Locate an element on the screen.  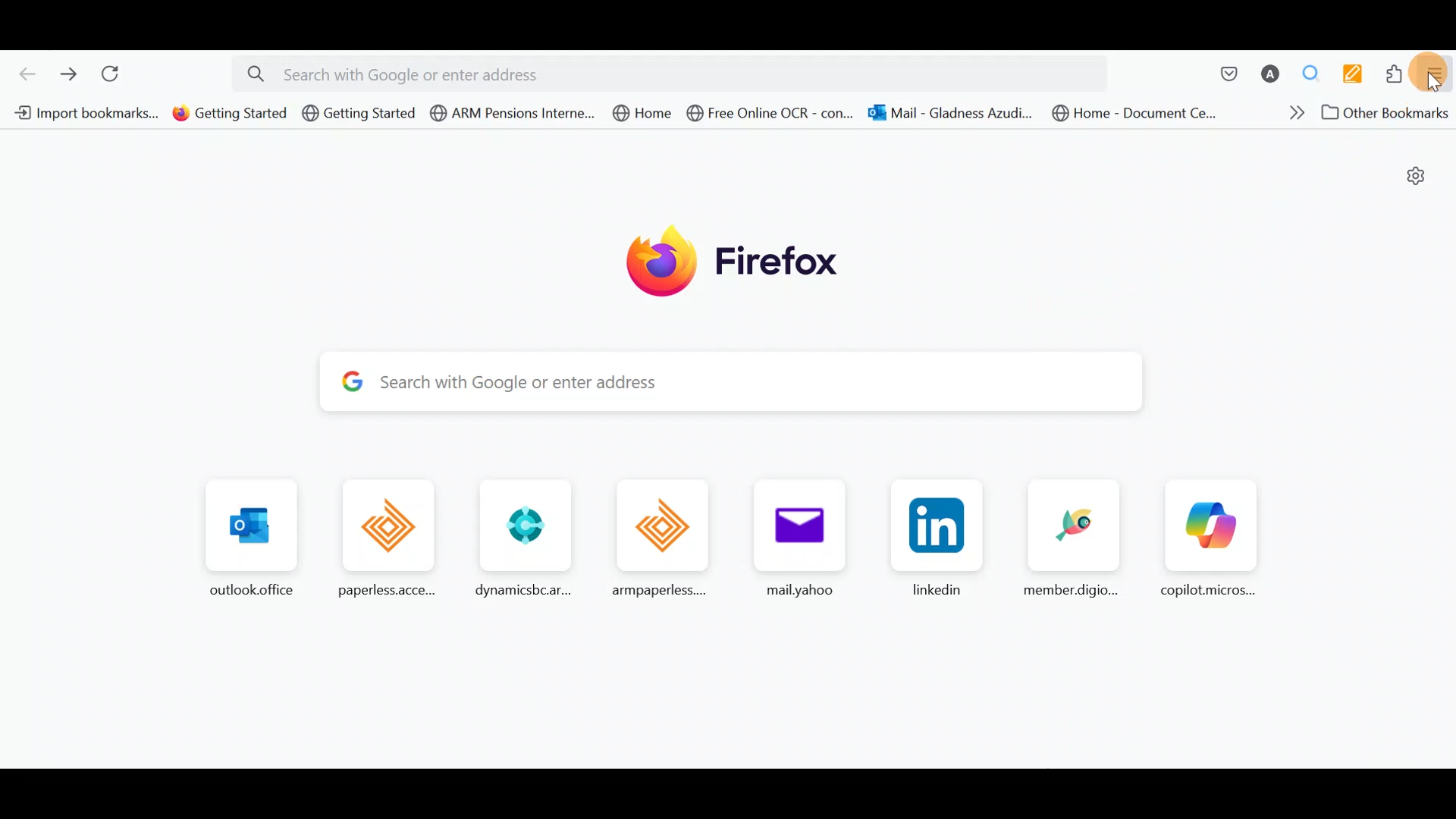
Extensions is located at coordinates (1390, 74).